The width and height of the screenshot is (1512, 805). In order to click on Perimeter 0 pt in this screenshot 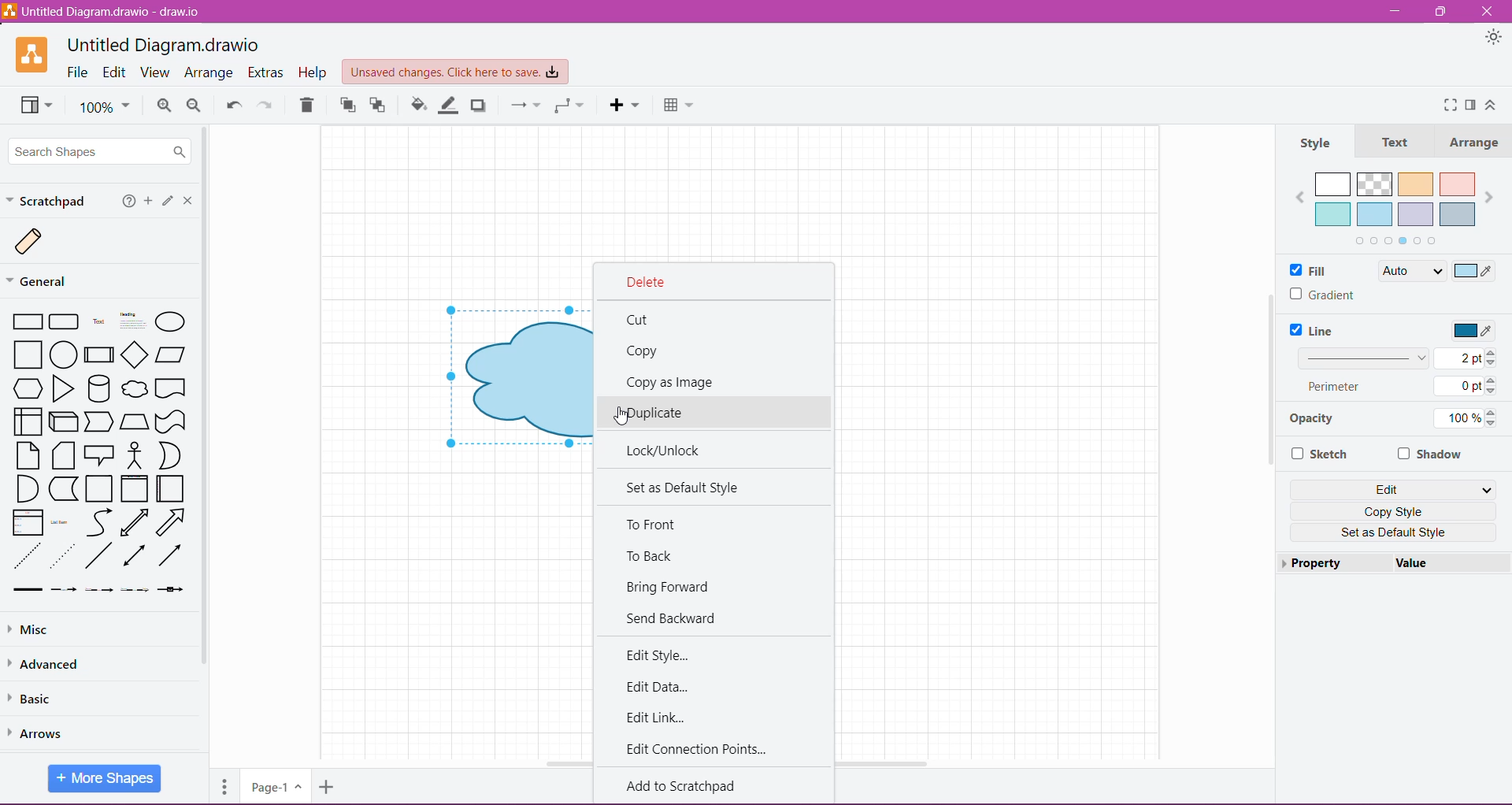, I will do `click(1401, 386)`.